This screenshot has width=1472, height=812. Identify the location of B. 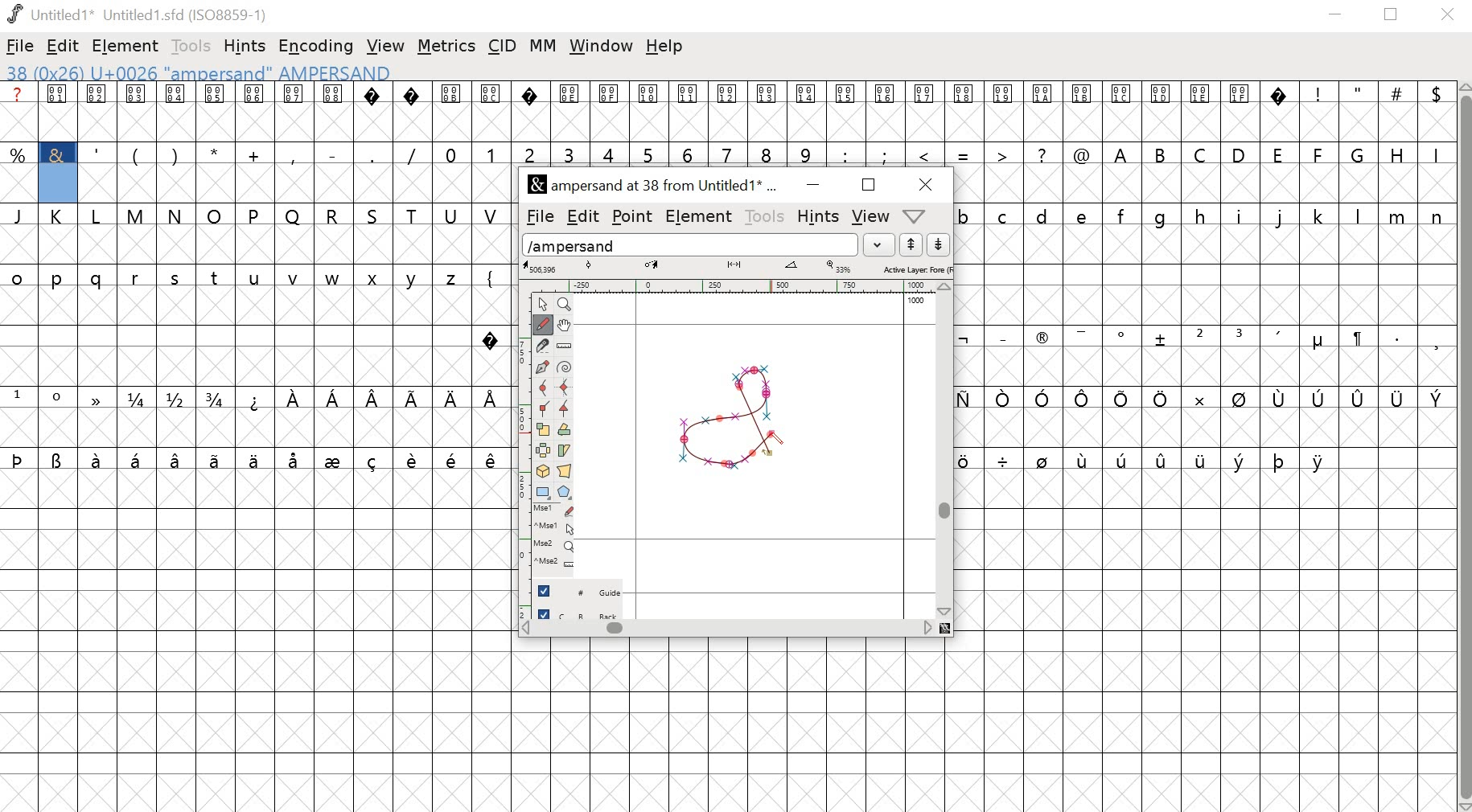
(1162, 154).